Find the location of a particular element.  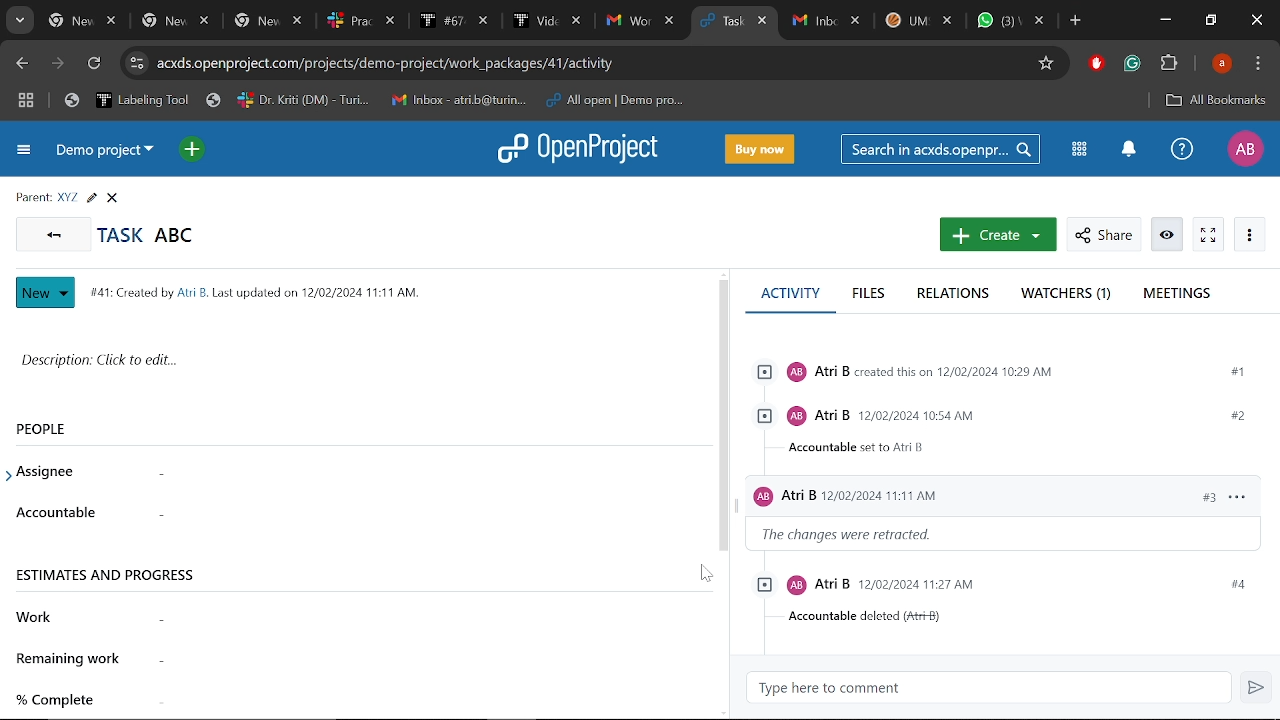

Accountable deleted (At) is located at coordinates (870, 618).